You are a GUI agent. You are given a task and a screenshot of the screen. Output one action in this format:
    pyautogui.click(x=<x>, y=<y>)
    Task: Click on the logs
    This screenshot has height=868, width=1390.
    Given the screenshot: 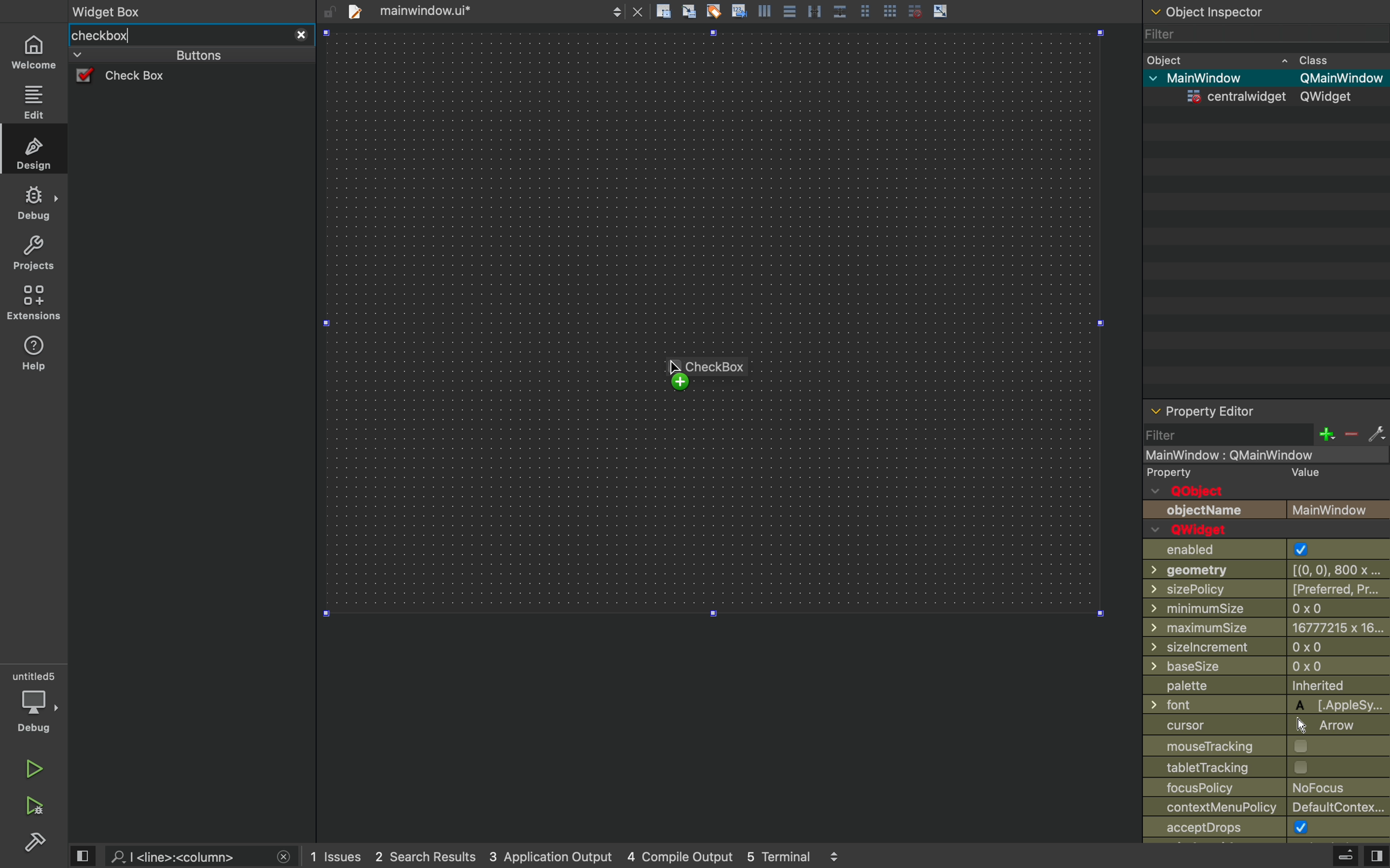 What is the action you would take?
    pyautogui.click(x=577, y=857)
    